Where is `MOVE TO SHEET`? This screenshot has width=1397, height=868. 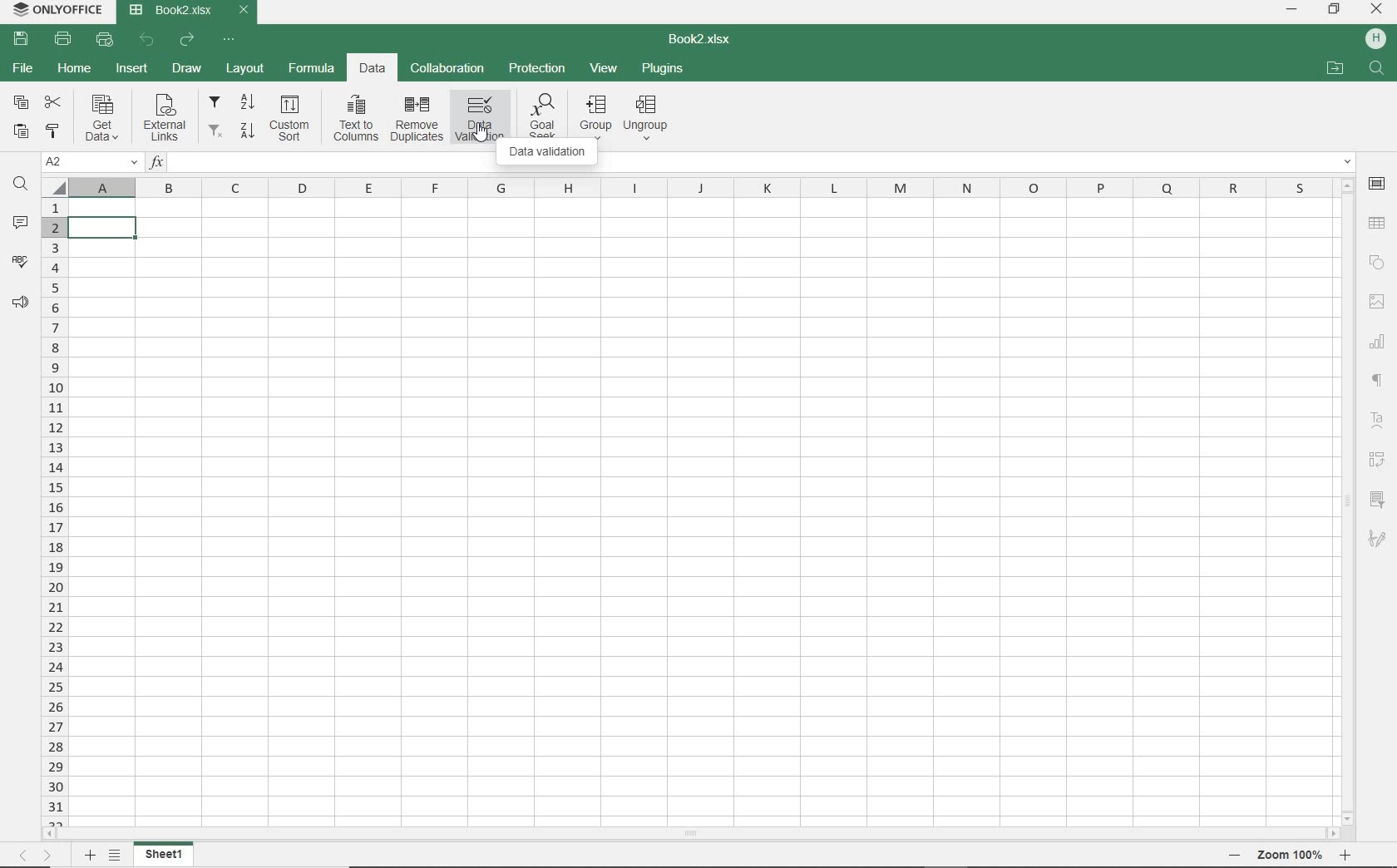 MOVE TO SHEET is located at coordinates (32, 857).